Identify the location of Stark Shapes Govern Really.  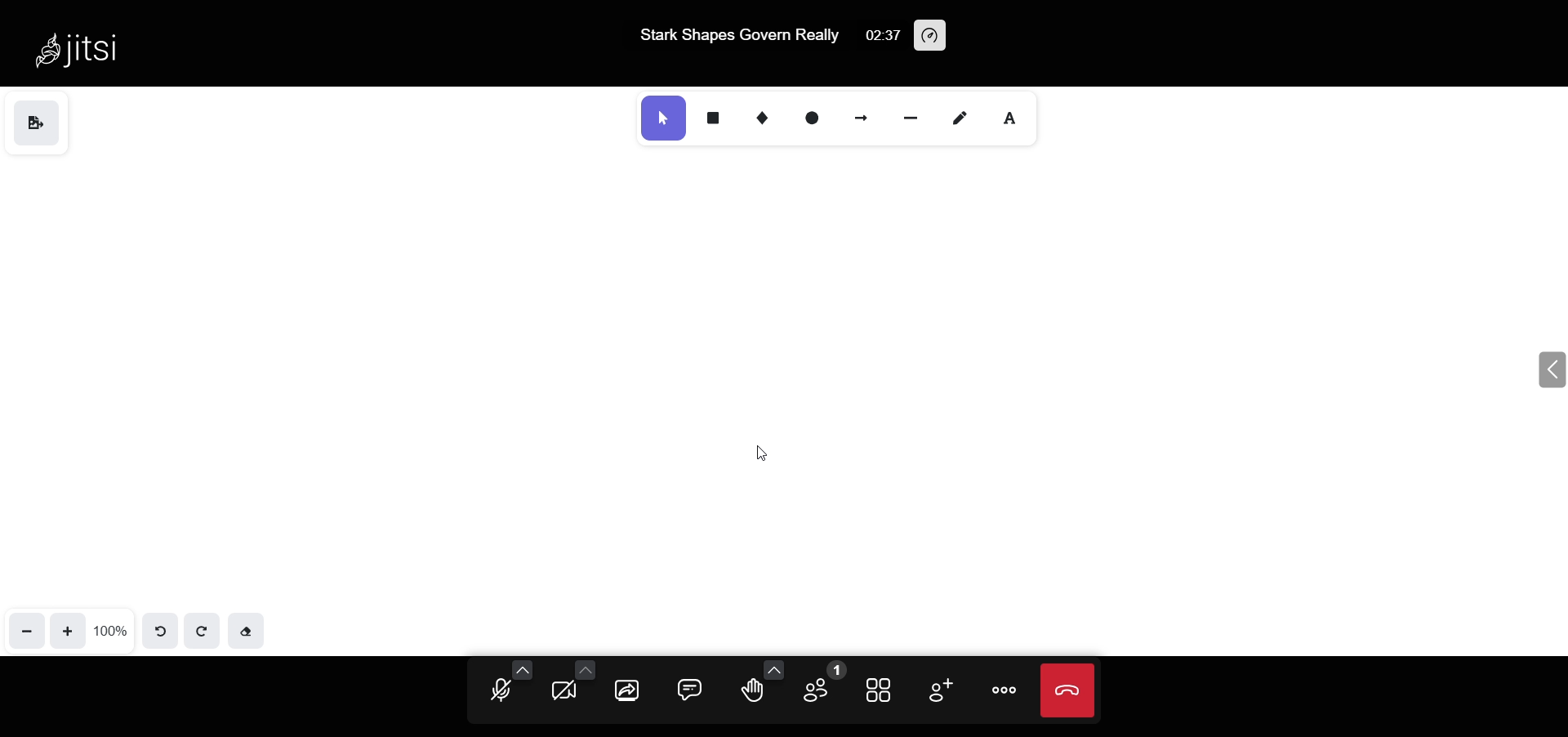
(735, 37).